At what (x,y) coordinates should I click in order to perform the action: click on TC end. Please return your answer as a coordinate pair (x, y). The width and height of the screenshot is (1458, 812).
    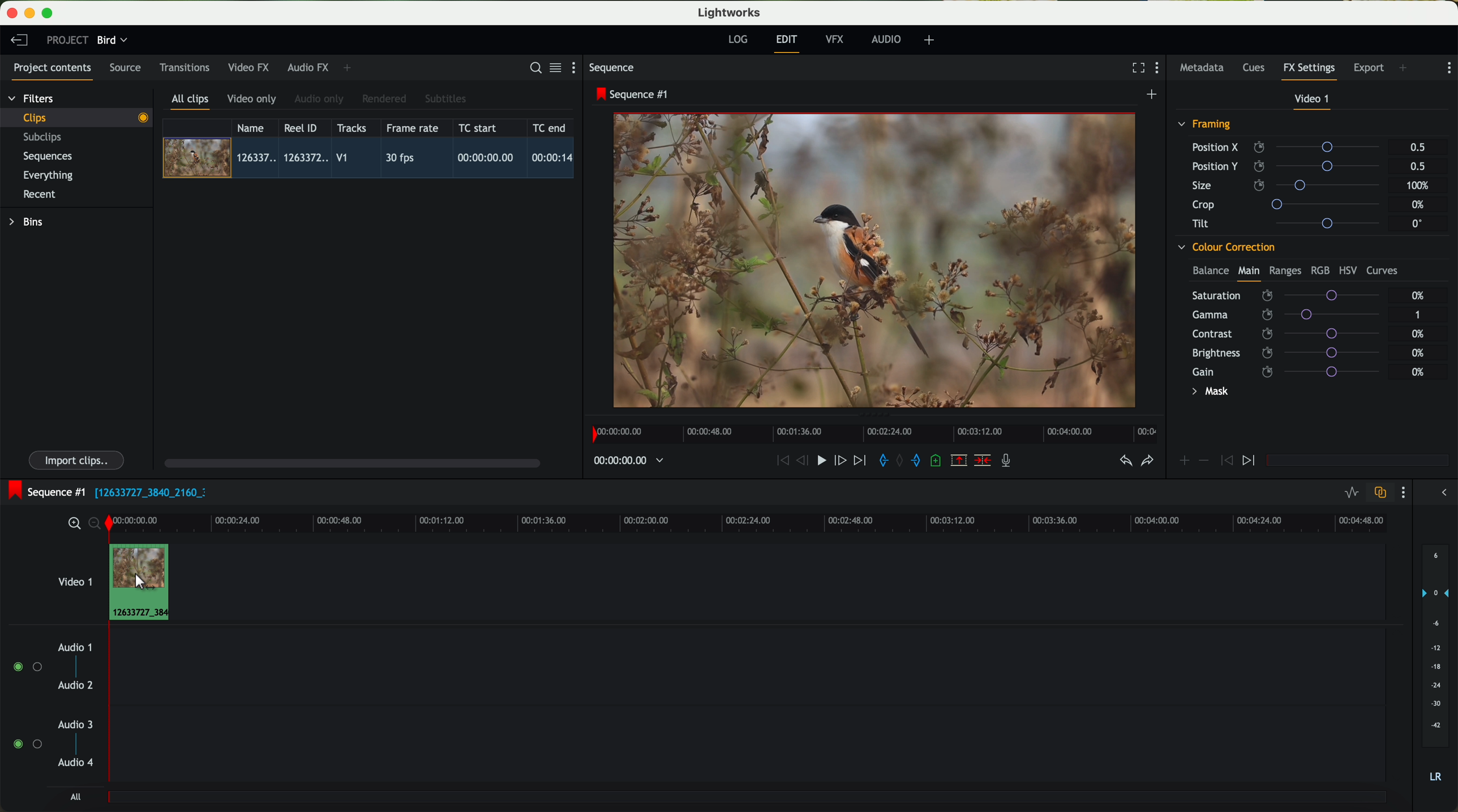
    Looking at the image, I should click on (550, 127).